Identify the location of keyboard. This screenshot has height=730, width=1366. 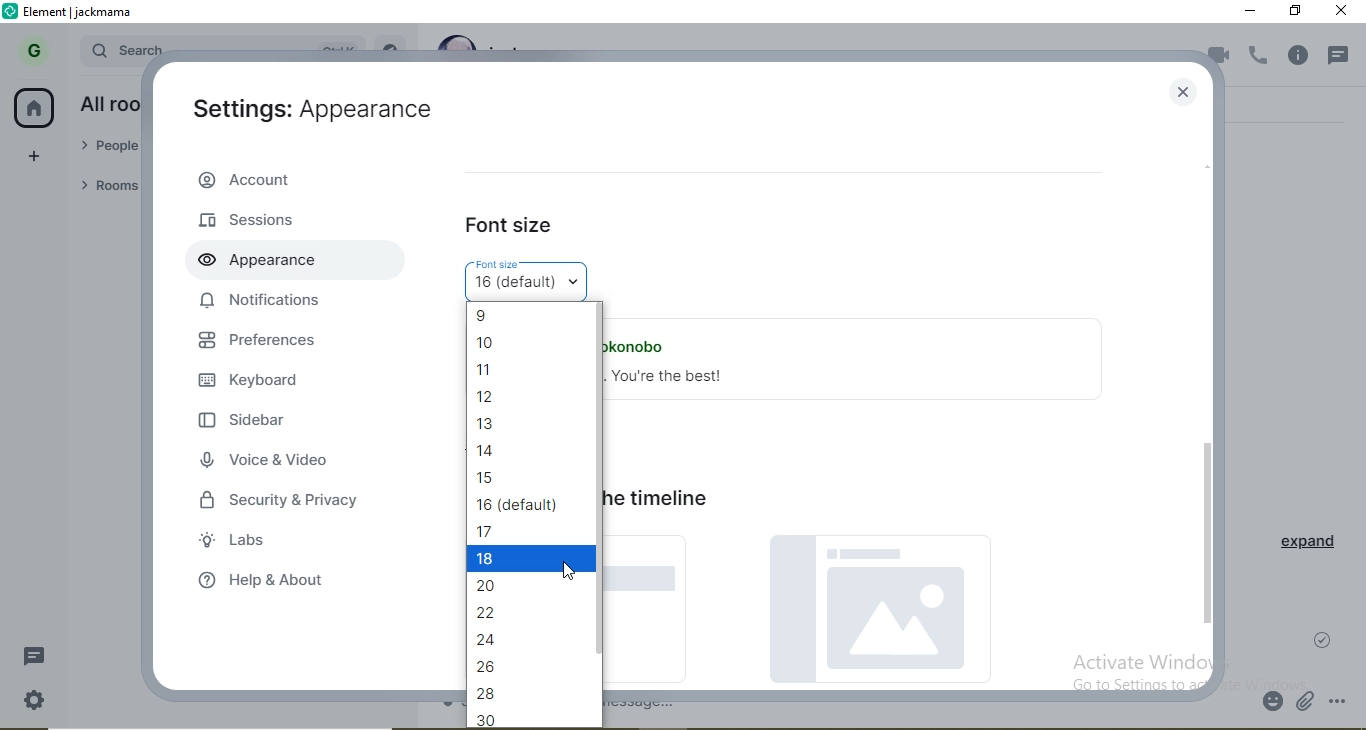
(257, 384).